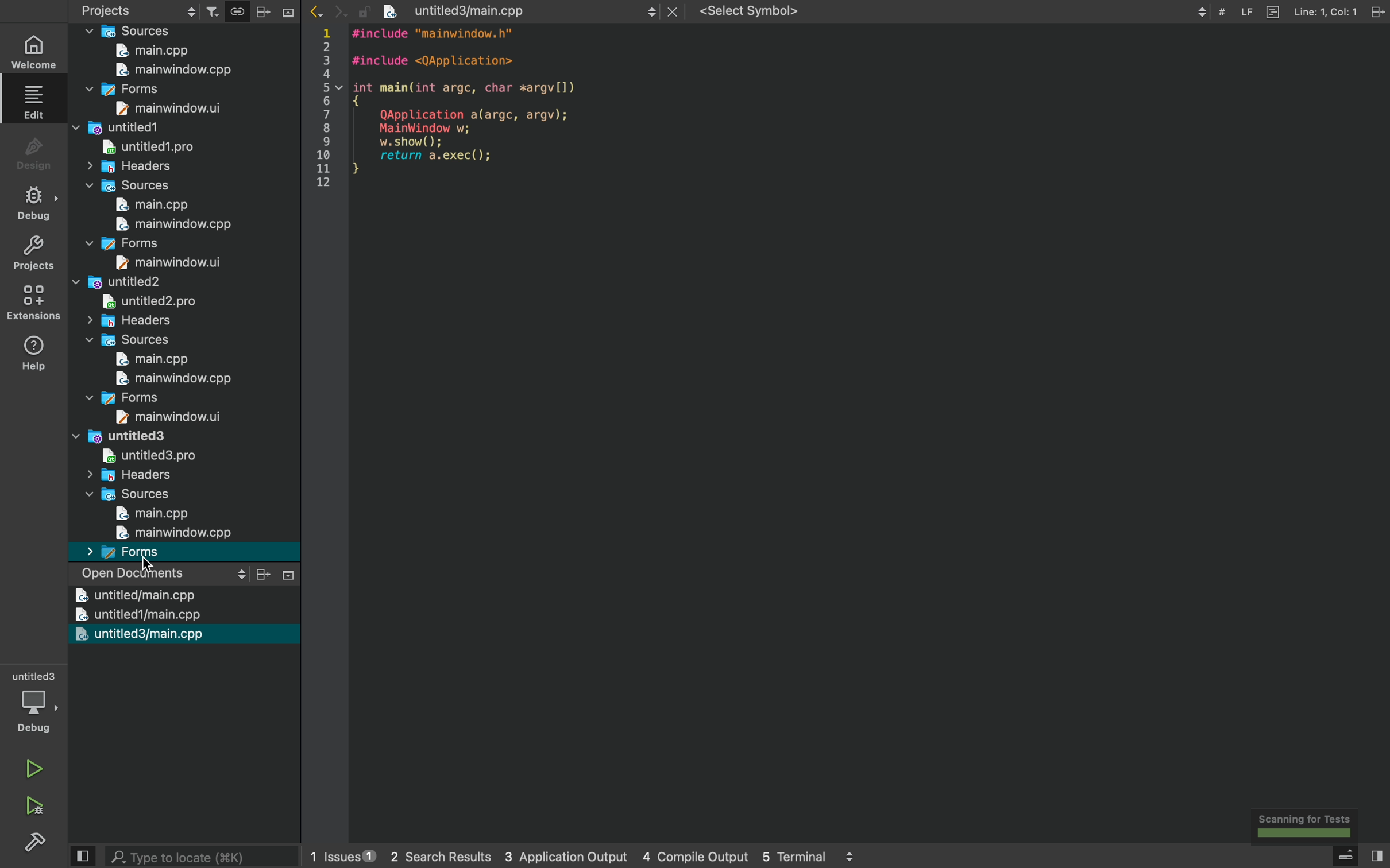 The height and width of the screenshot is (868, 1390). Describe the element at coordinates (128, 552) in the screenshot. I see `Forms` at that location.